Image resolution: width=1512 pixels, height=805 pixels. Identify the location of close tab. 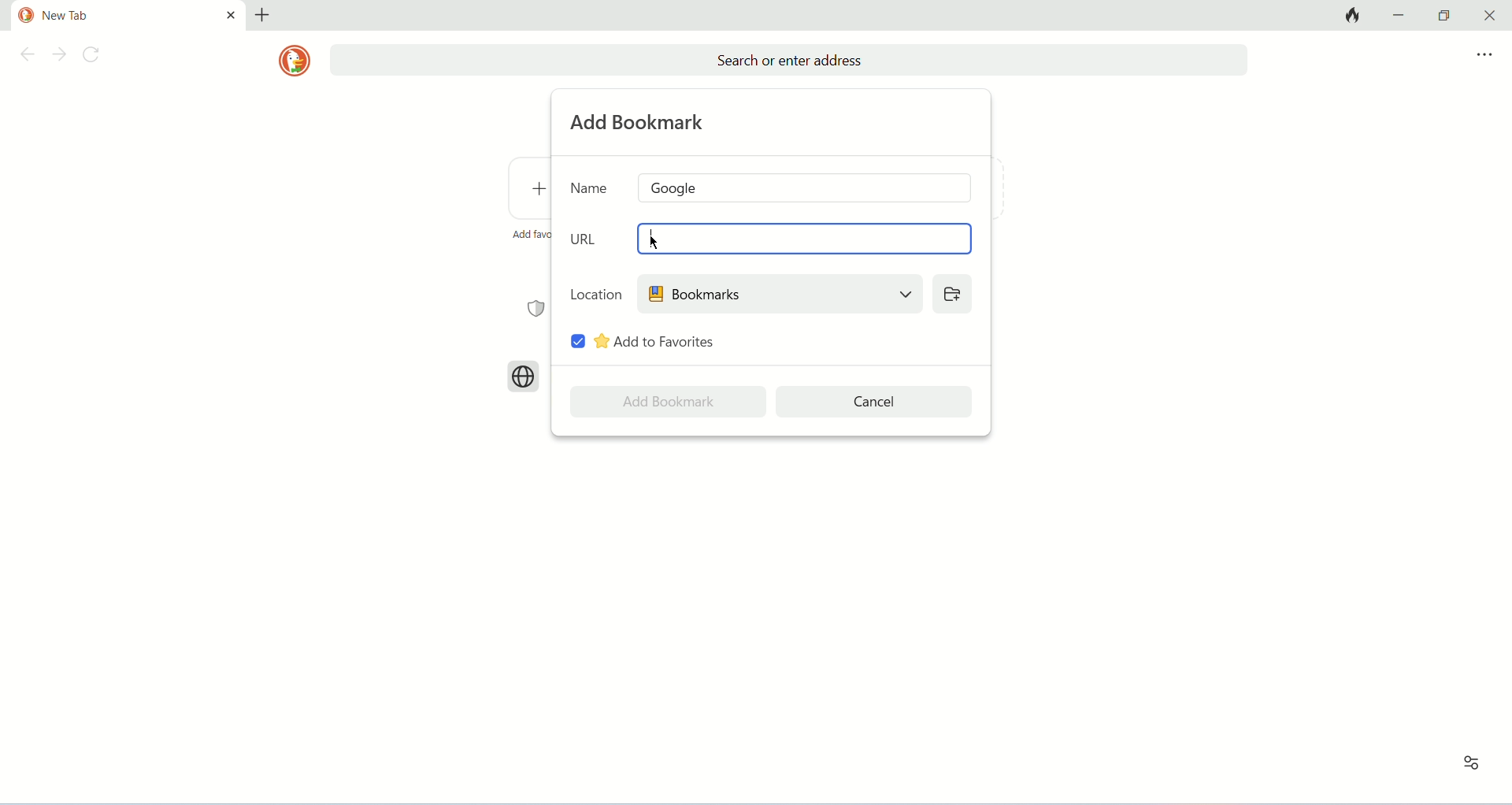
(231, 14).